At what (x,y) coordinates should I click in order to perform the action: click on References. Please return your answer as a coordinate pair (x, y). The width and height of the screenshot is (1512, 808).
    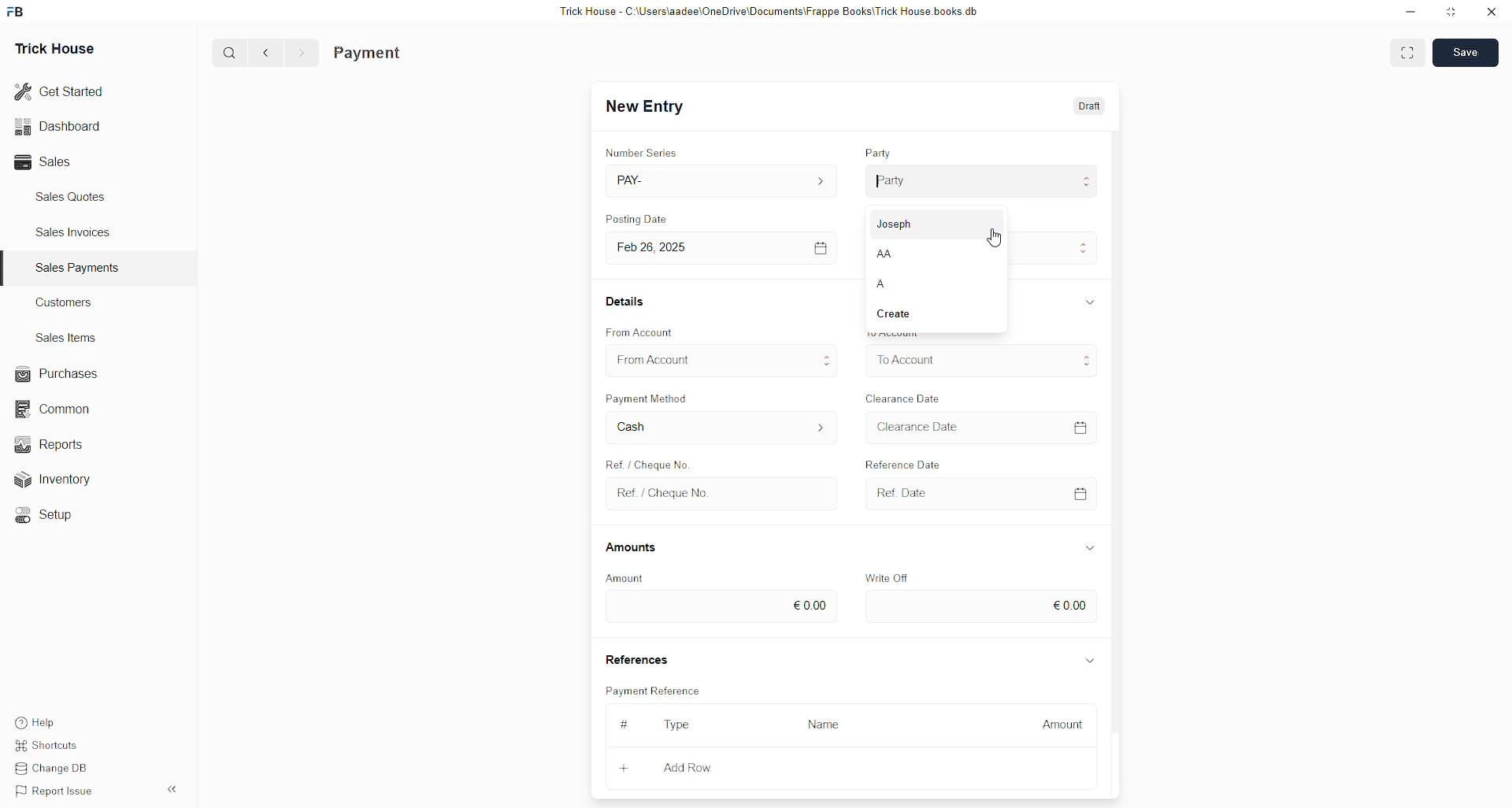
    Looking at the image, I should click on (636, 657).